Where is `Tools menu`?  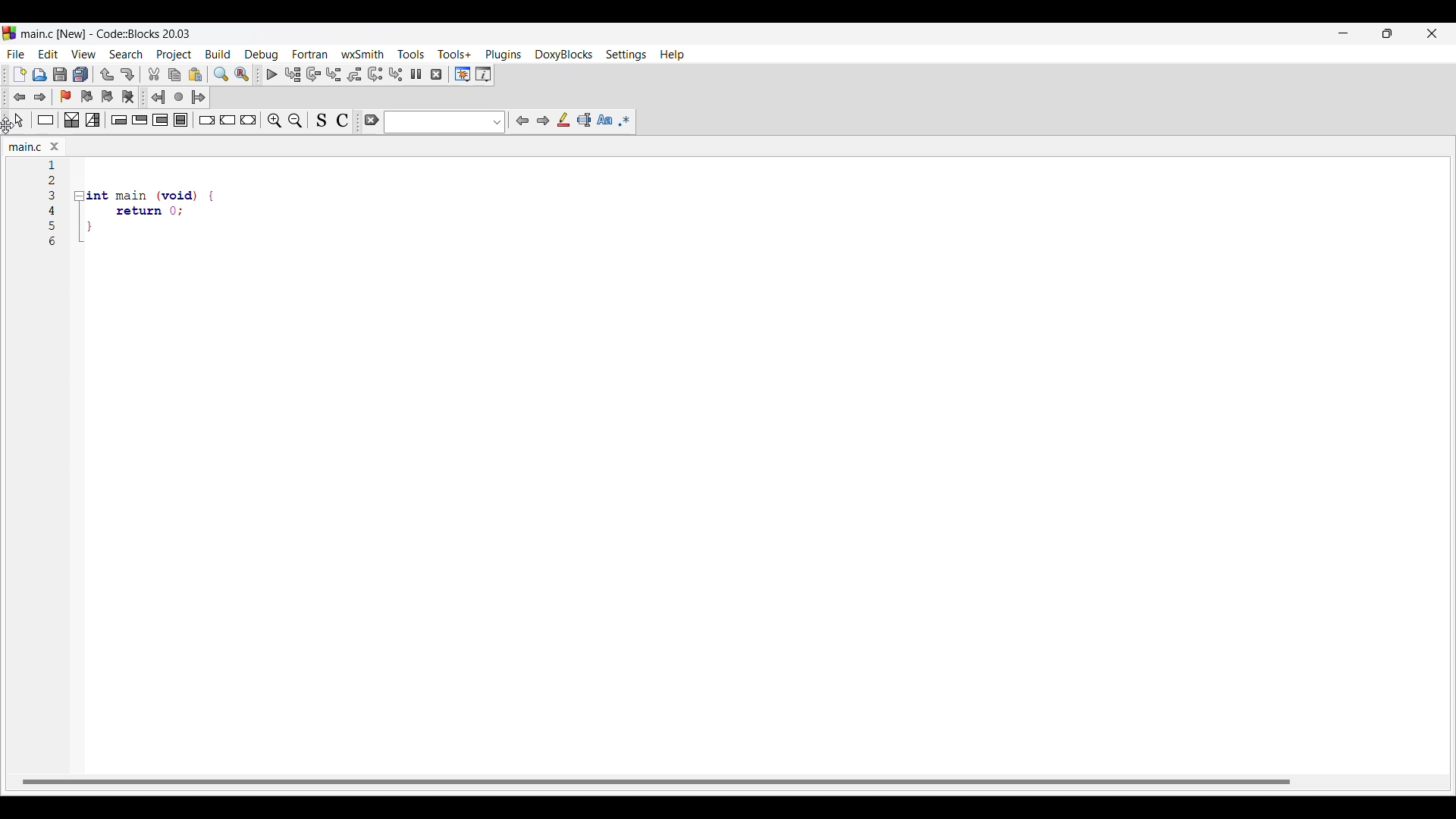
Tools menu is located at coordinates (412, 54).